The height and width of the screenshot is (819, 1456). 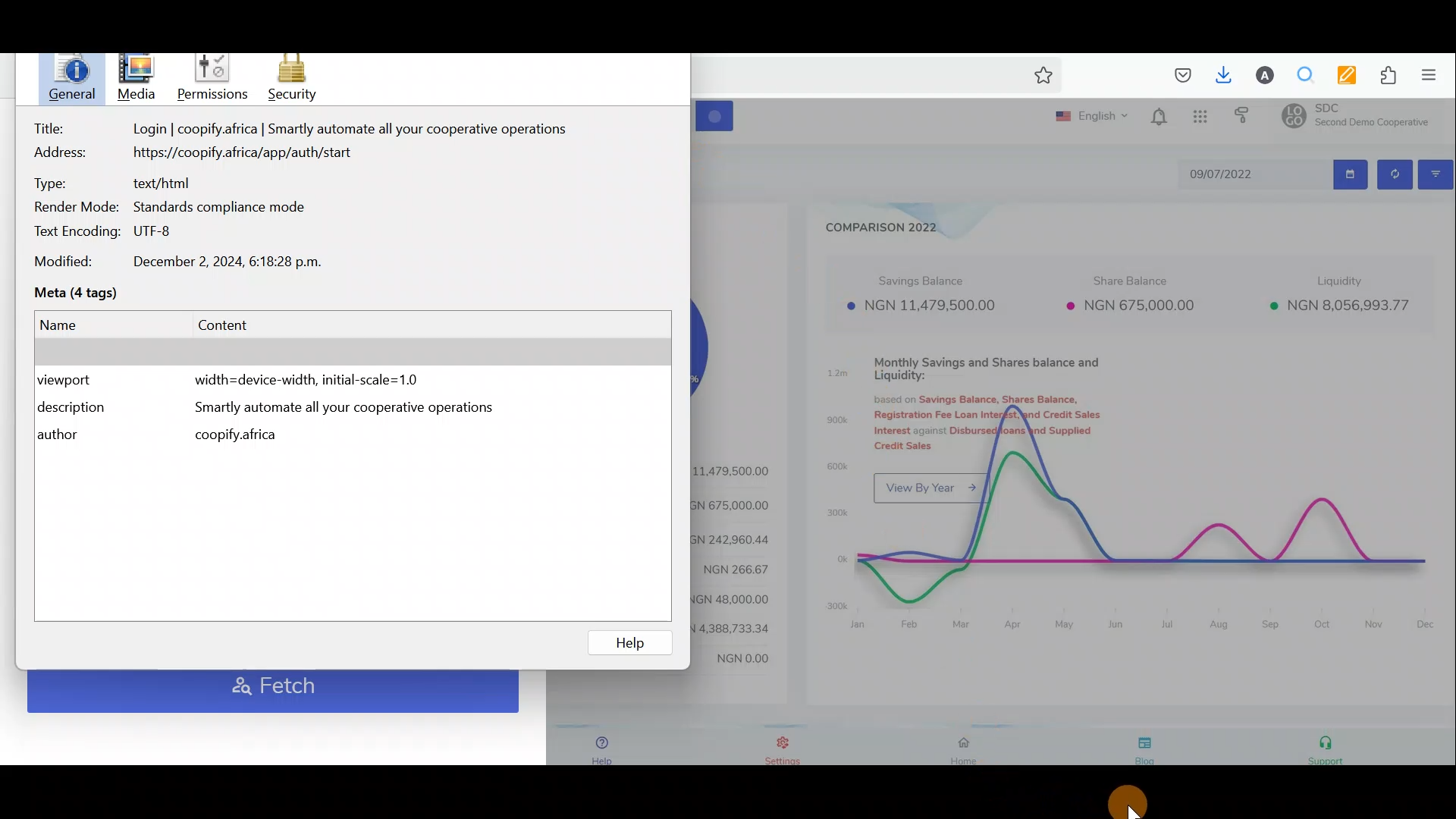 I want to click on Text encoding, so click(x=116, y=230).